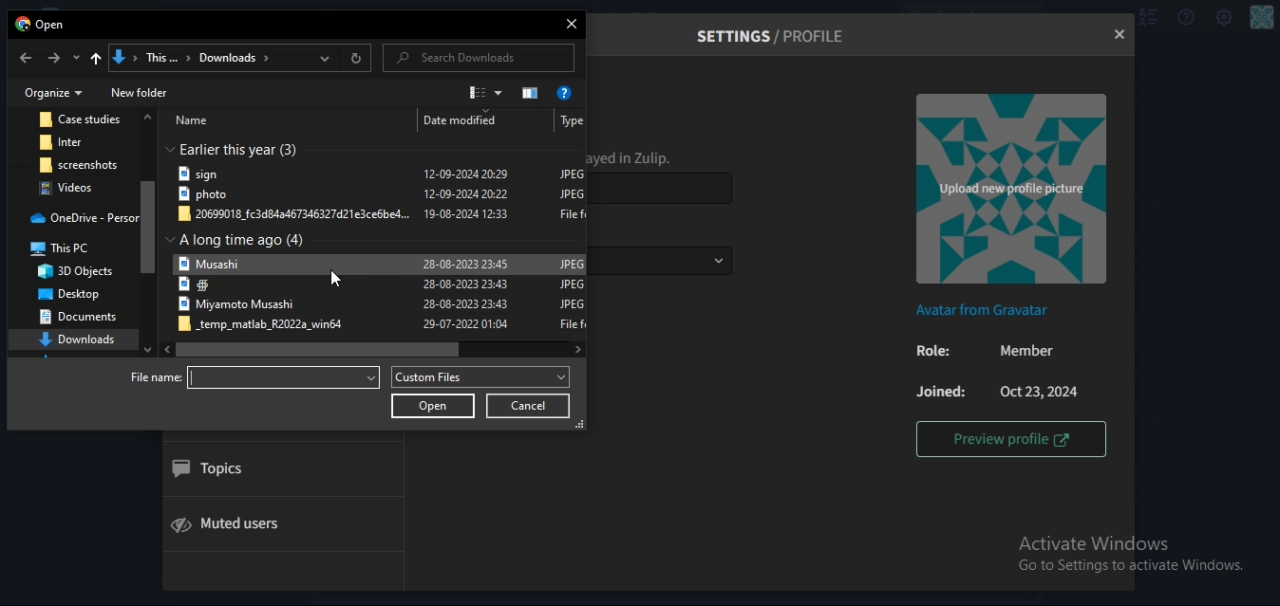  What do you see at coordinates (481, 377) in the screenshot?
I see `custom files` at bounding box center [481, 377].